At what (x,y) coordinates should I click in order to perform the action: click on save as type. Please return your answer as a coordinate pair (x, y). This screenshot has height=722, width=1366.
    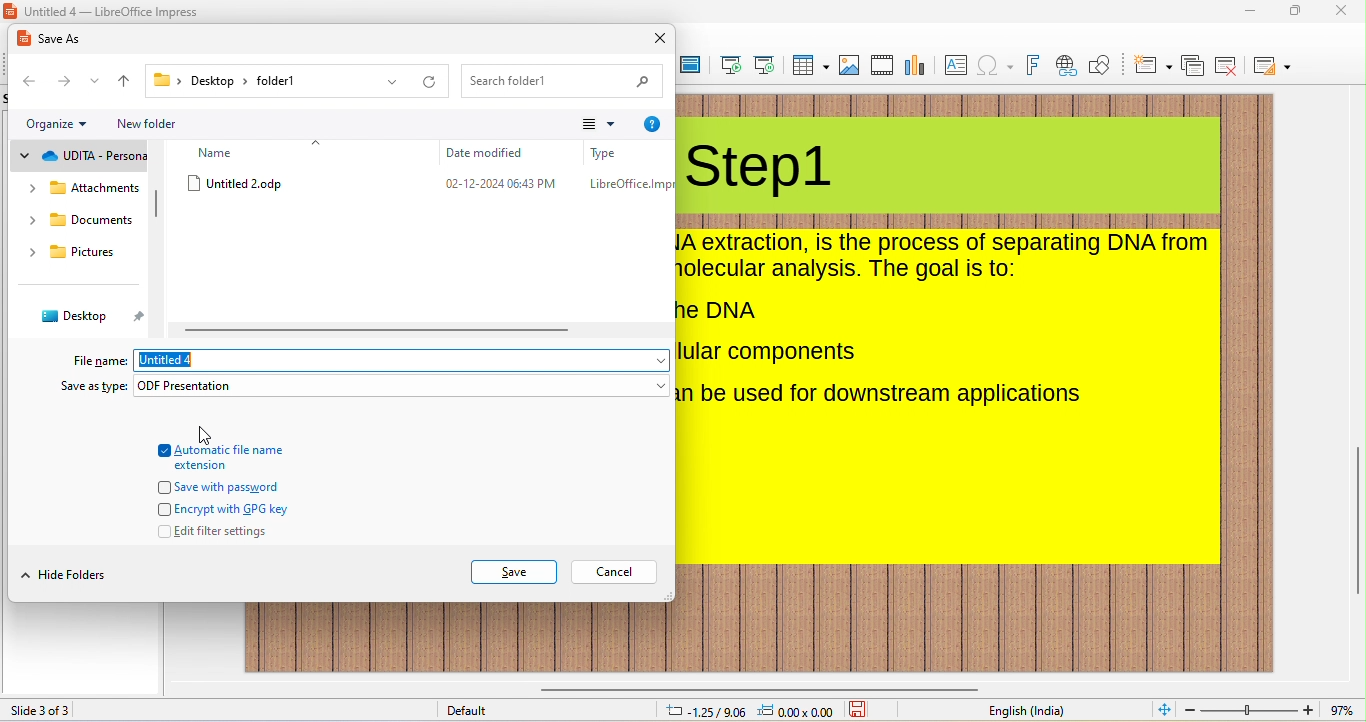
    Looking at the image, I should click on (81, 388).